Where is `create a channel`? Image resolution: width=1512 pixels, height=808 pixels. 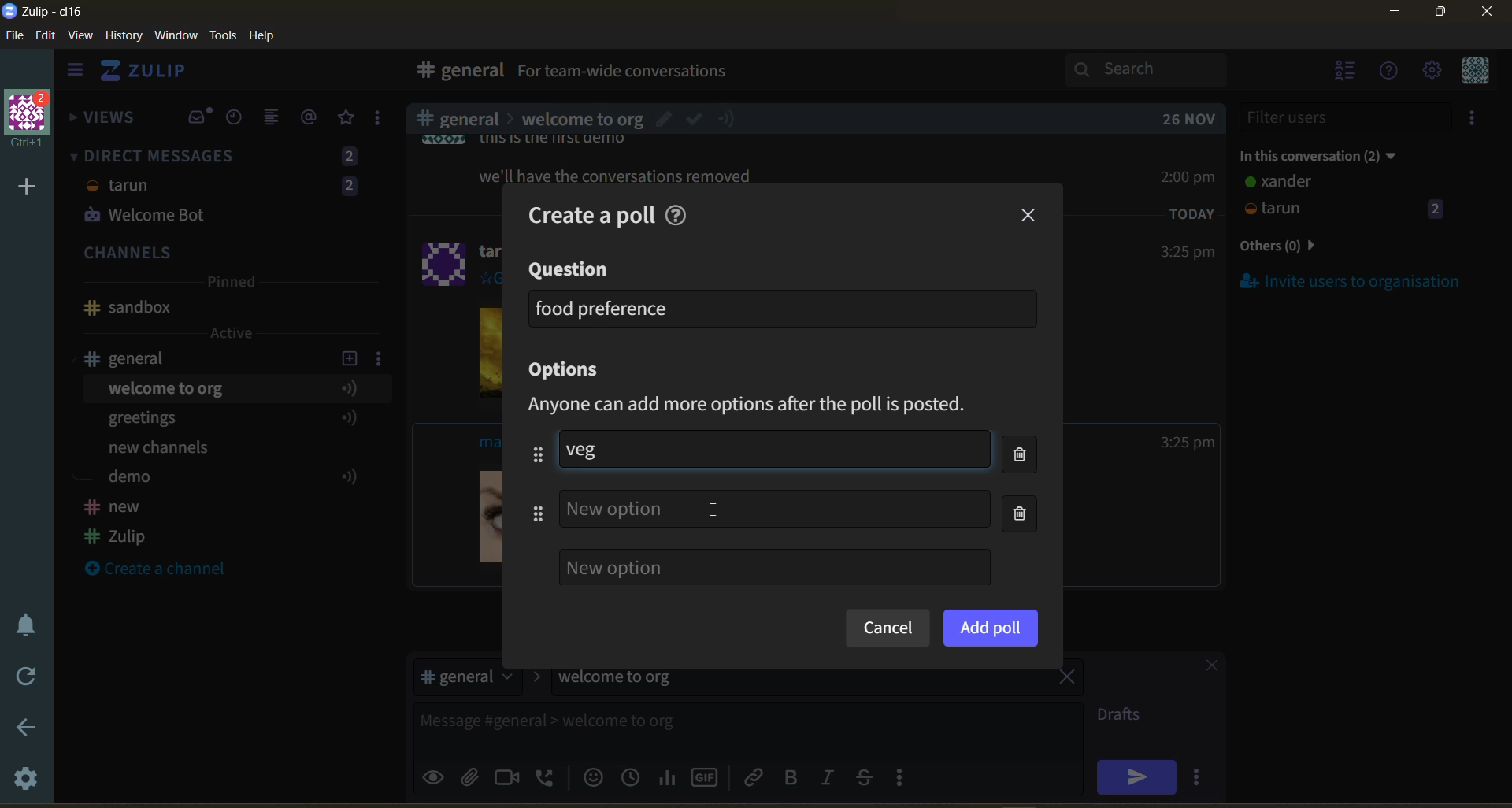
create a channel is located at coordinates (165, 570).